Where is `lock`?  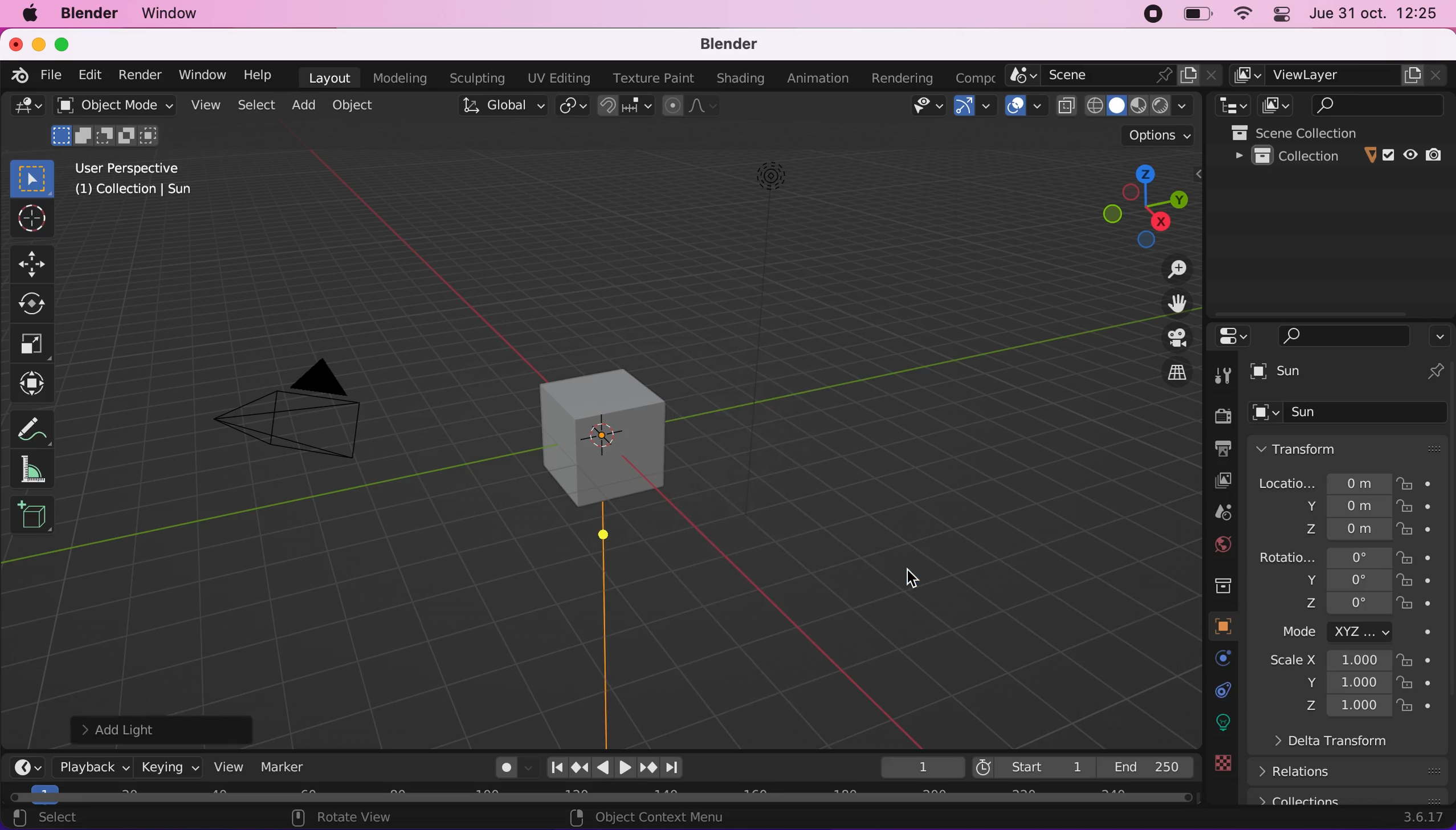
lock is located at coordinates (1426, 660).